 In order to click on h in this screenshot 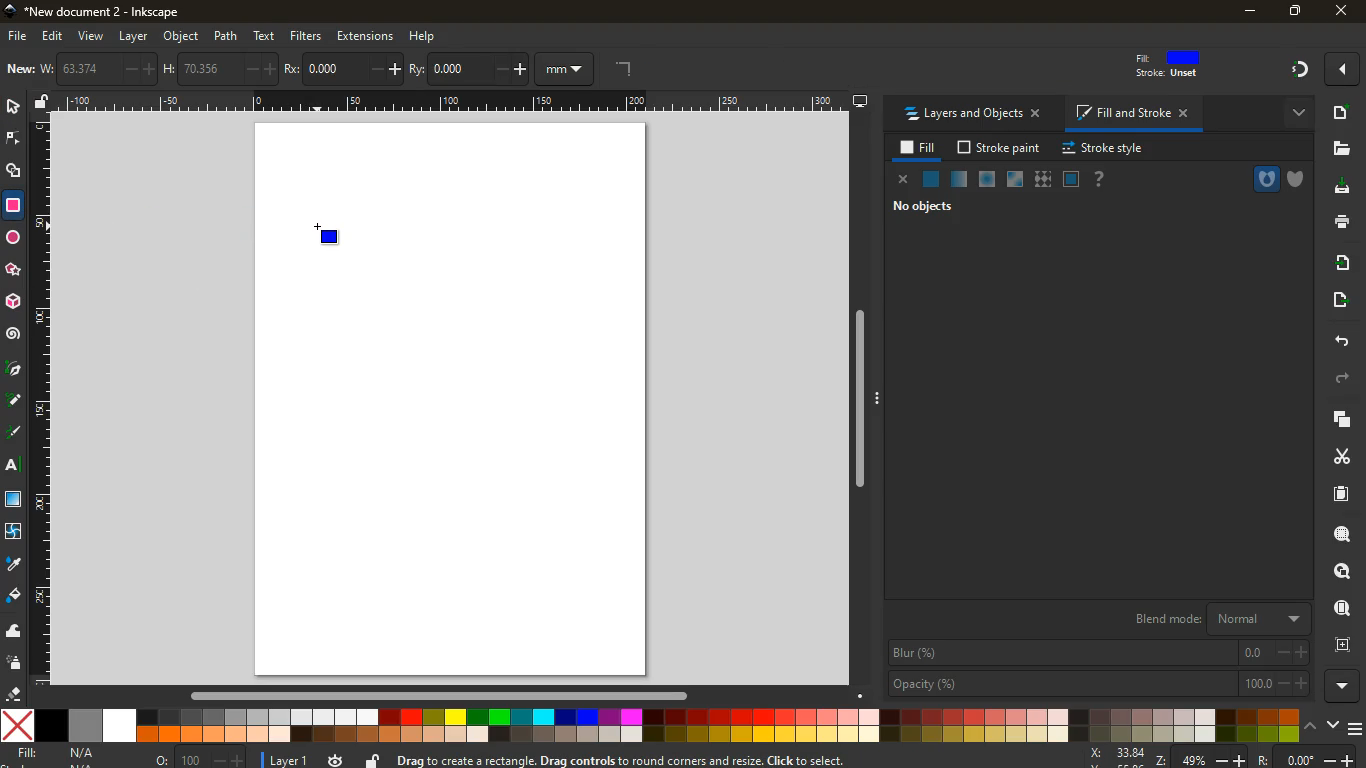, I will do `click(222, 69)`.